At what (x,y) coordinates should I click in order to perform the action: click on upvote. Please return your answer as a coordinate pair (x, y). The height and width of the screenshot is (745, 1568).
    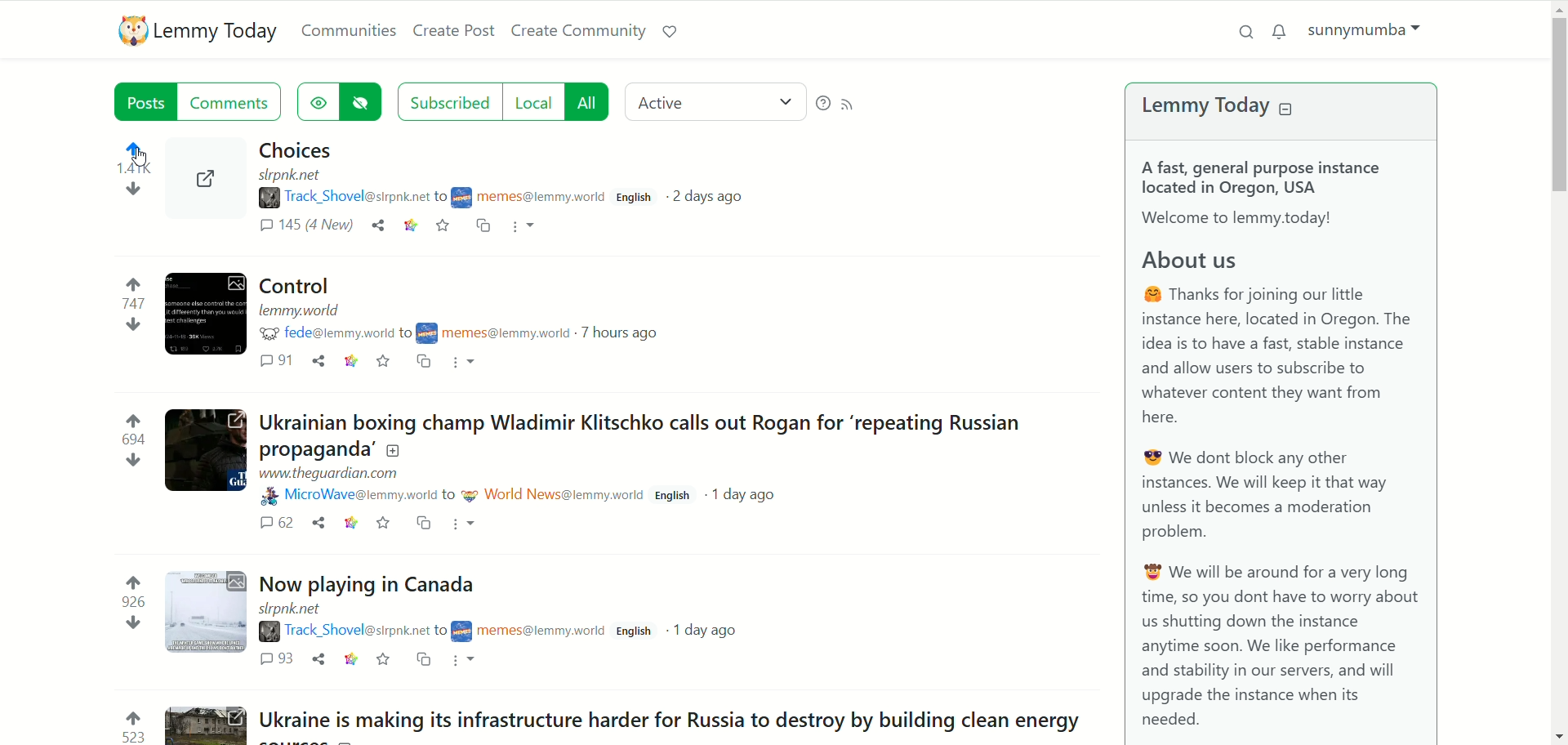
    Looking at the image, I should click on (133, 716).